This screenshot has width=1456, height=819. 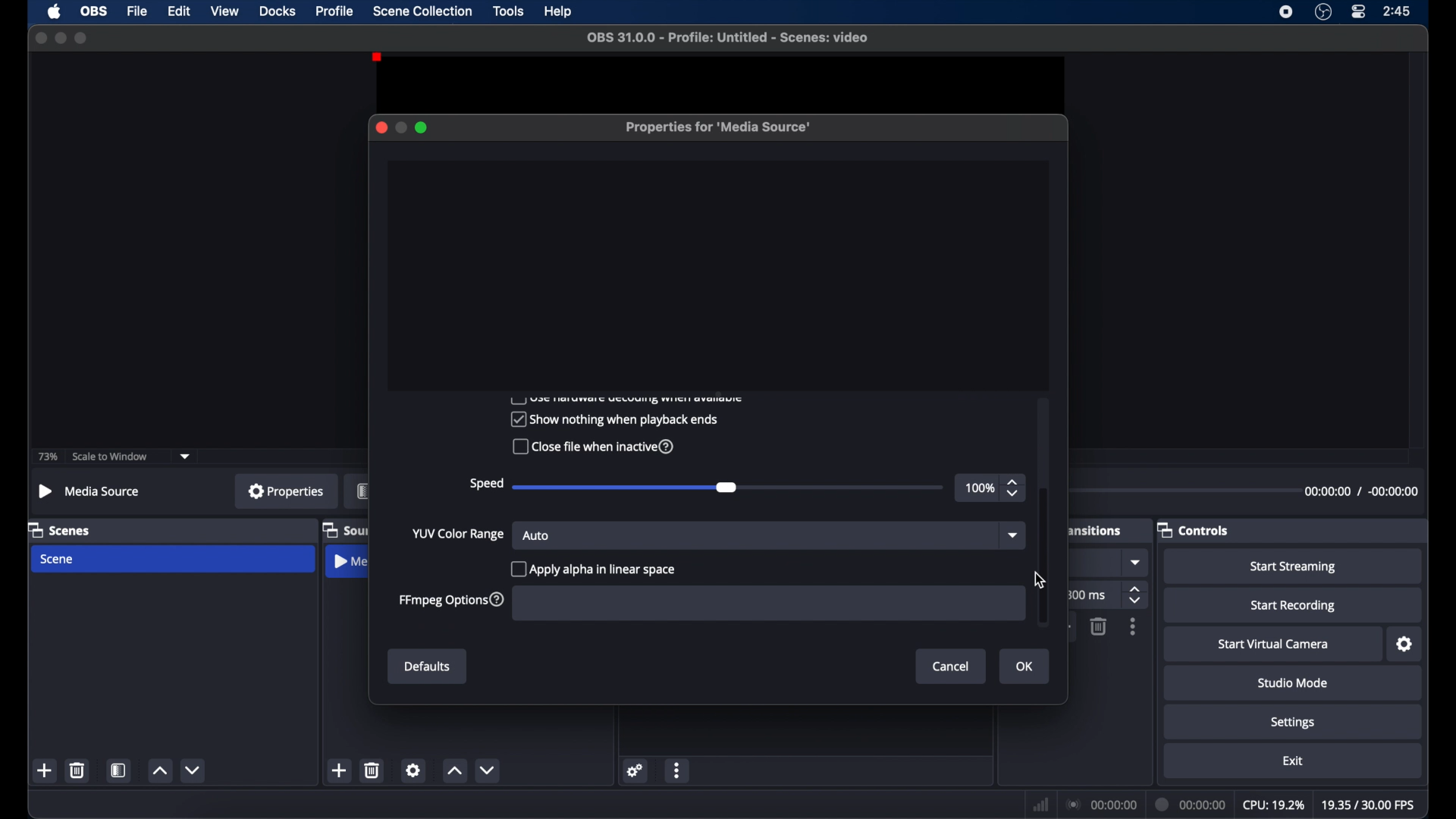 I want to click on scenes, so click(x=60, y=529).